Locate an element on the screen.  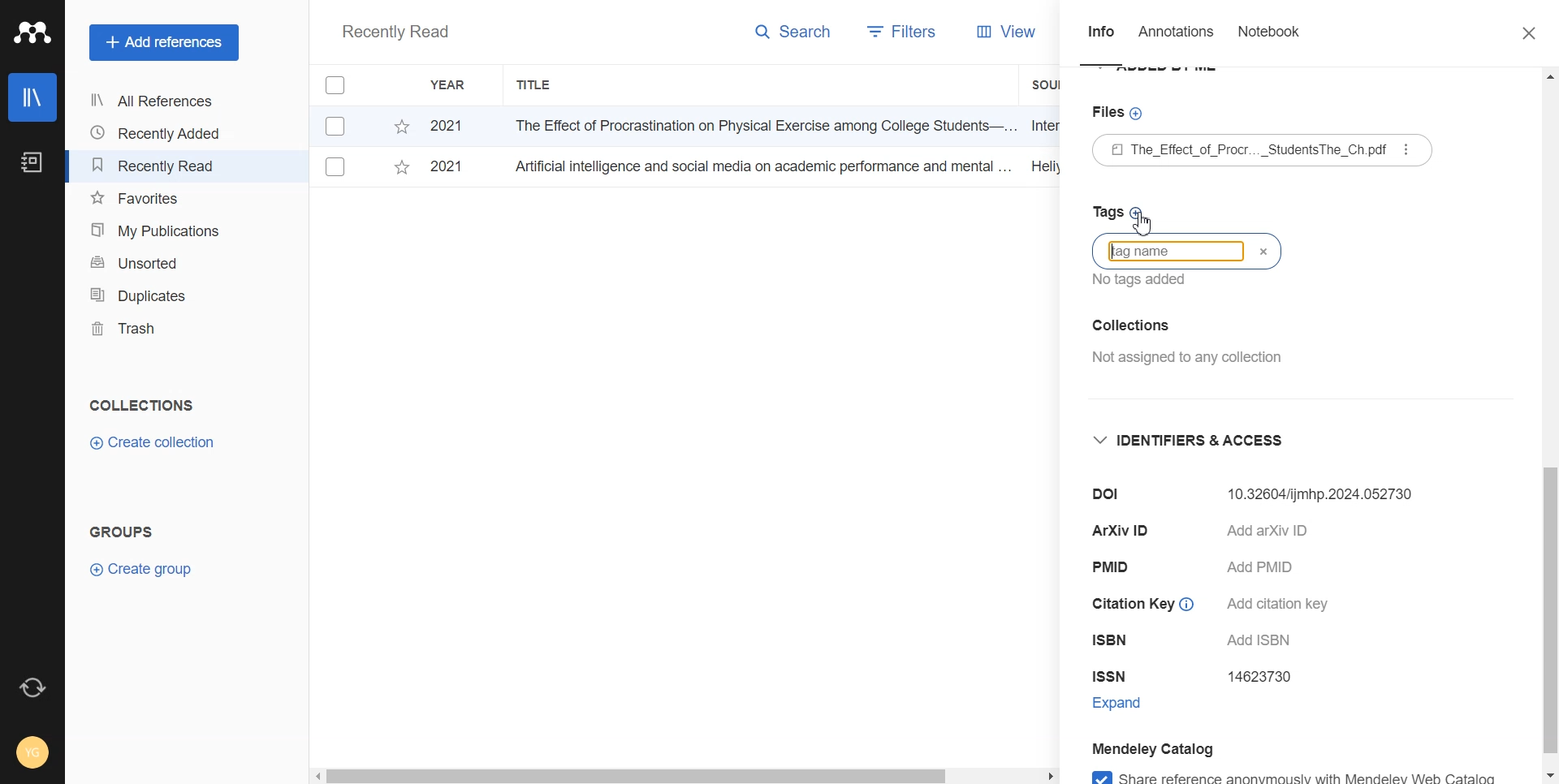
Unsorted is located at coordinates (160, 261).